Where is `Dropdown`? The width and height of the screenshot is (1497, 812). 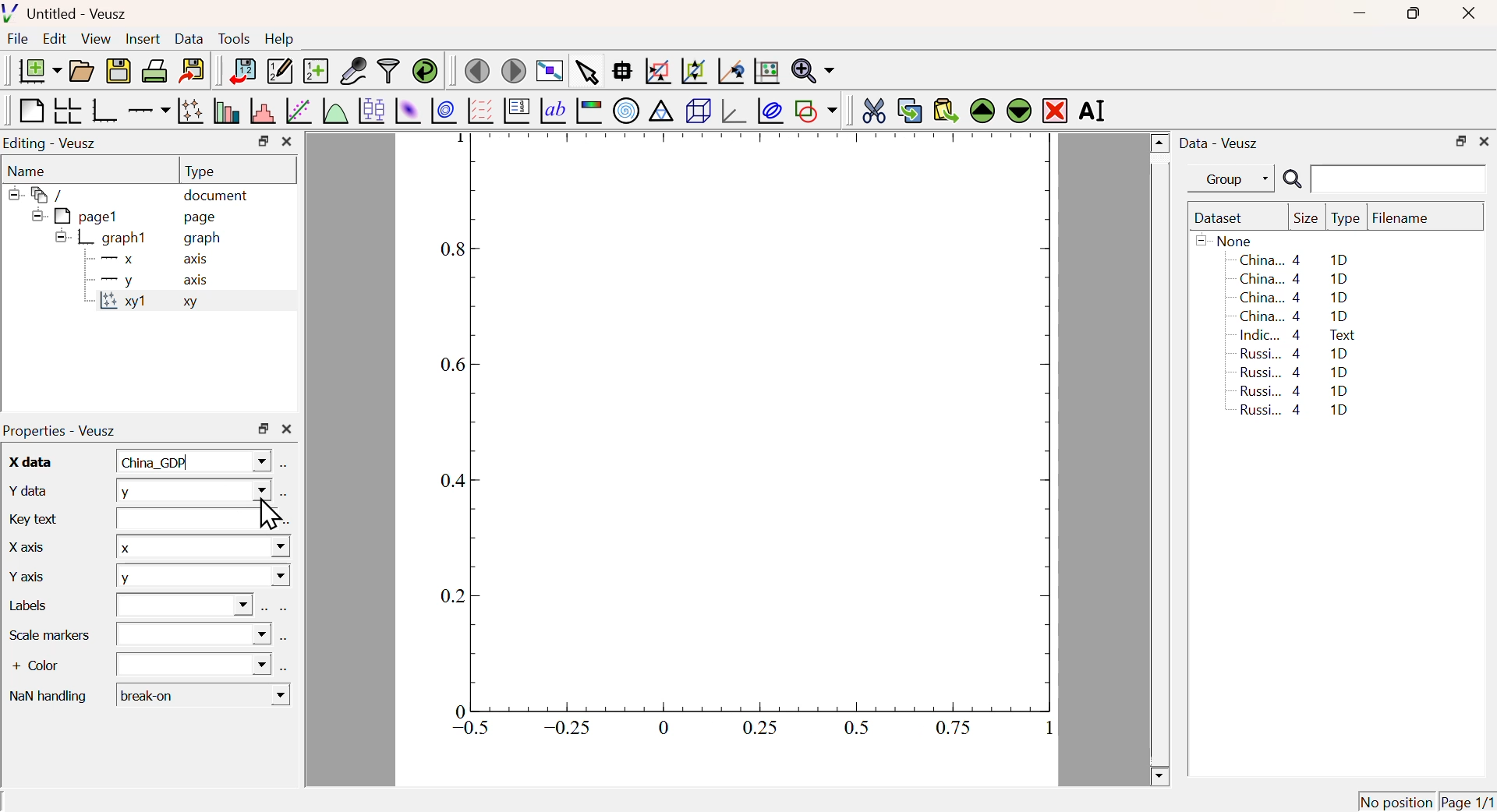 Dropdown is located at coordinates (184, 605).